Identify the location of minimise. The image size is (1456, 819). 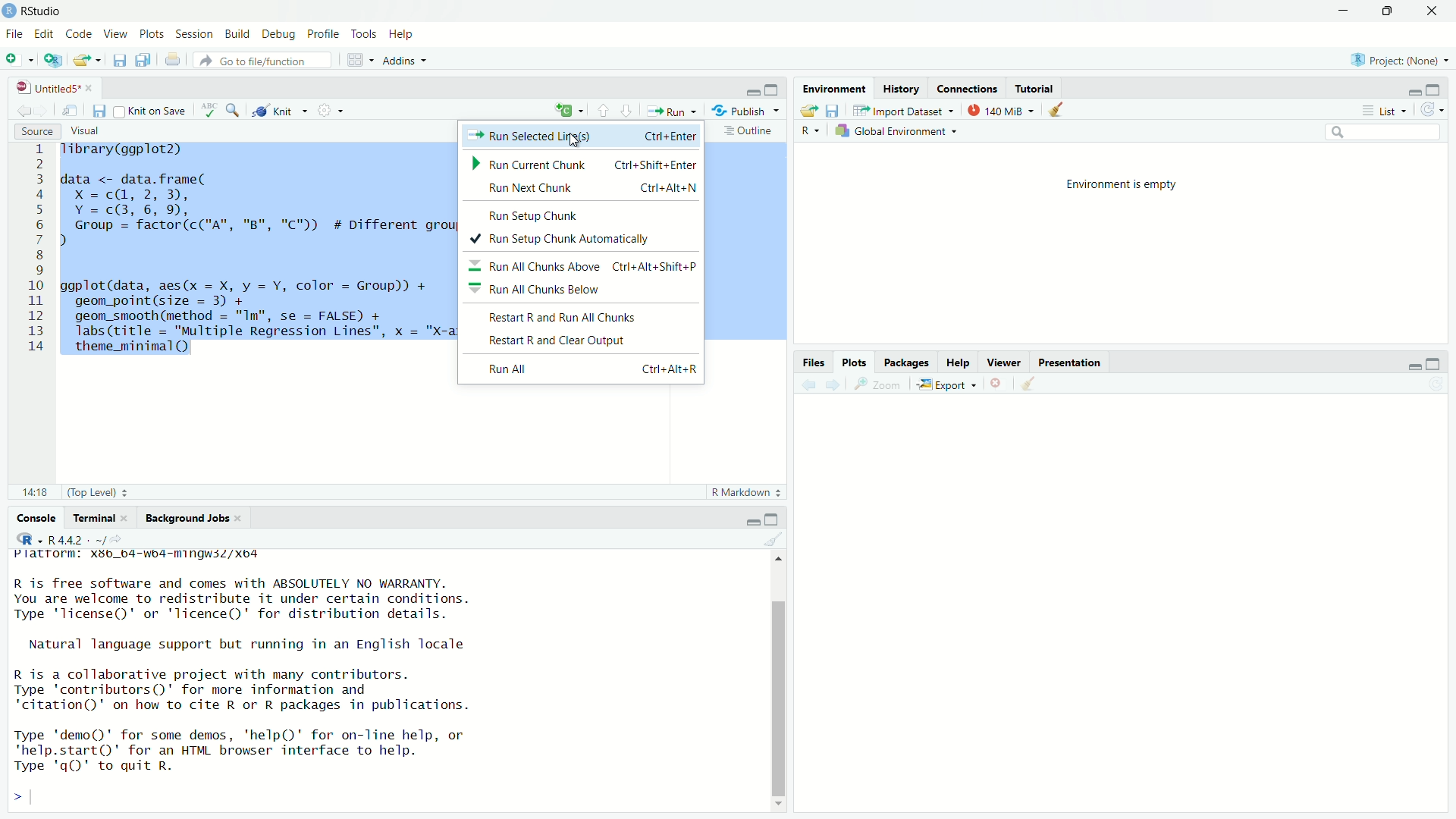
(742, 520).